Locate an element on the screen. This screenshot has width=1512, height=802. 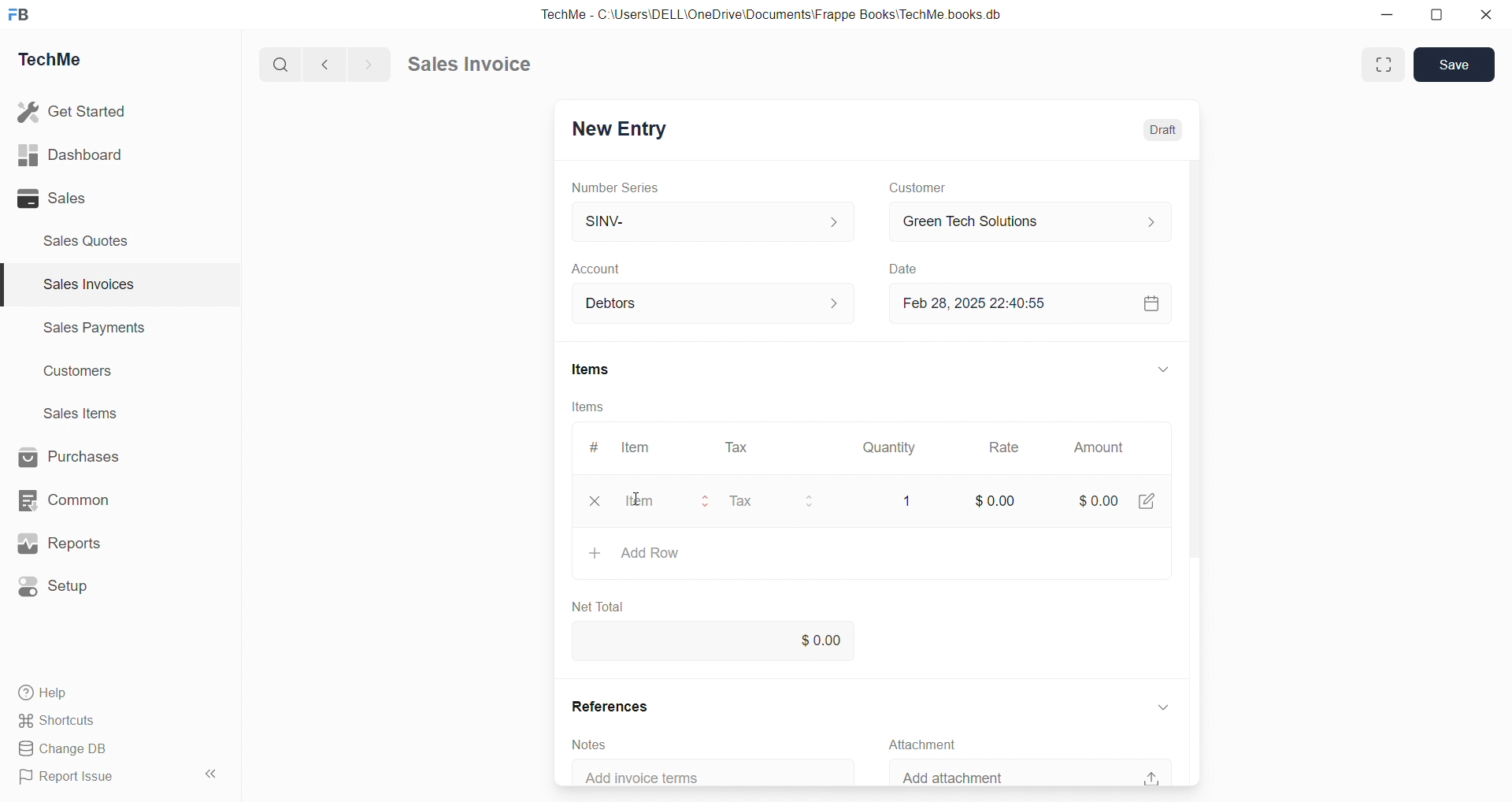
resize is located at coordinates (1436, 16).